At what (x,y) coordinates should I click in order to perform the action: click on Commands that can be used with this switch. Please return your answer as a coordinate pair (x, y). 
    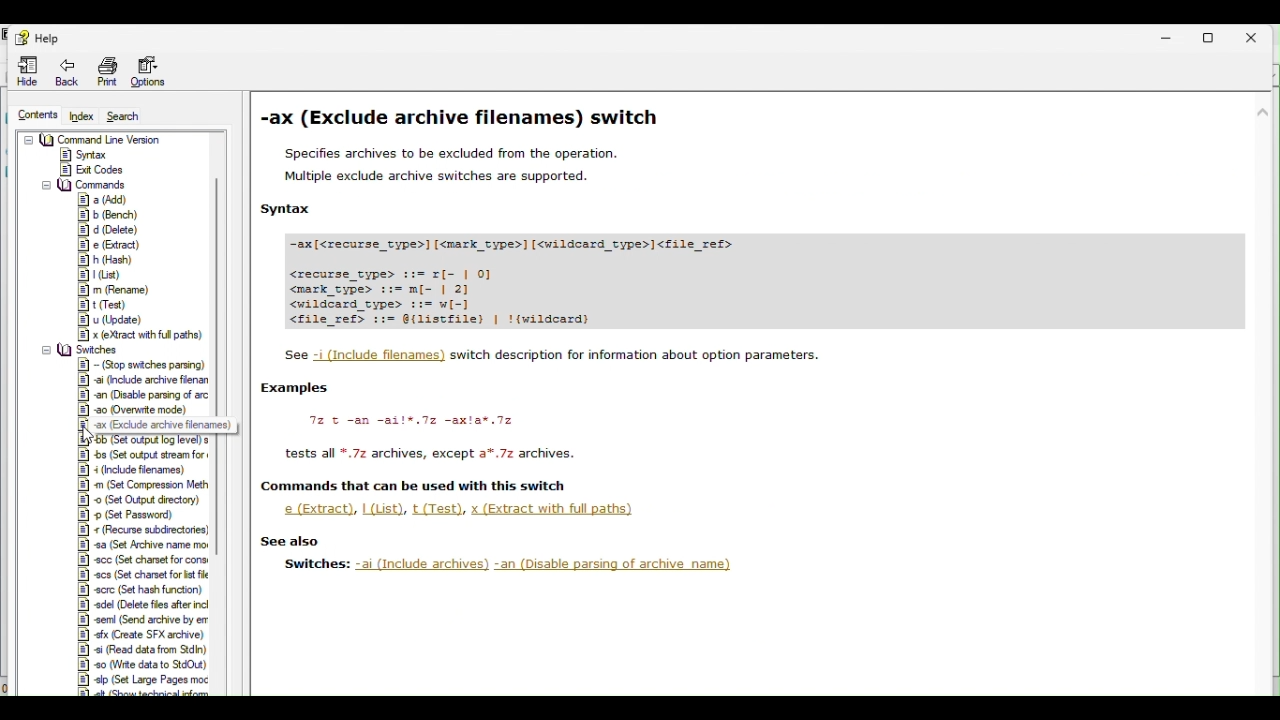
    Looking at the image, I should click on (414, 486).